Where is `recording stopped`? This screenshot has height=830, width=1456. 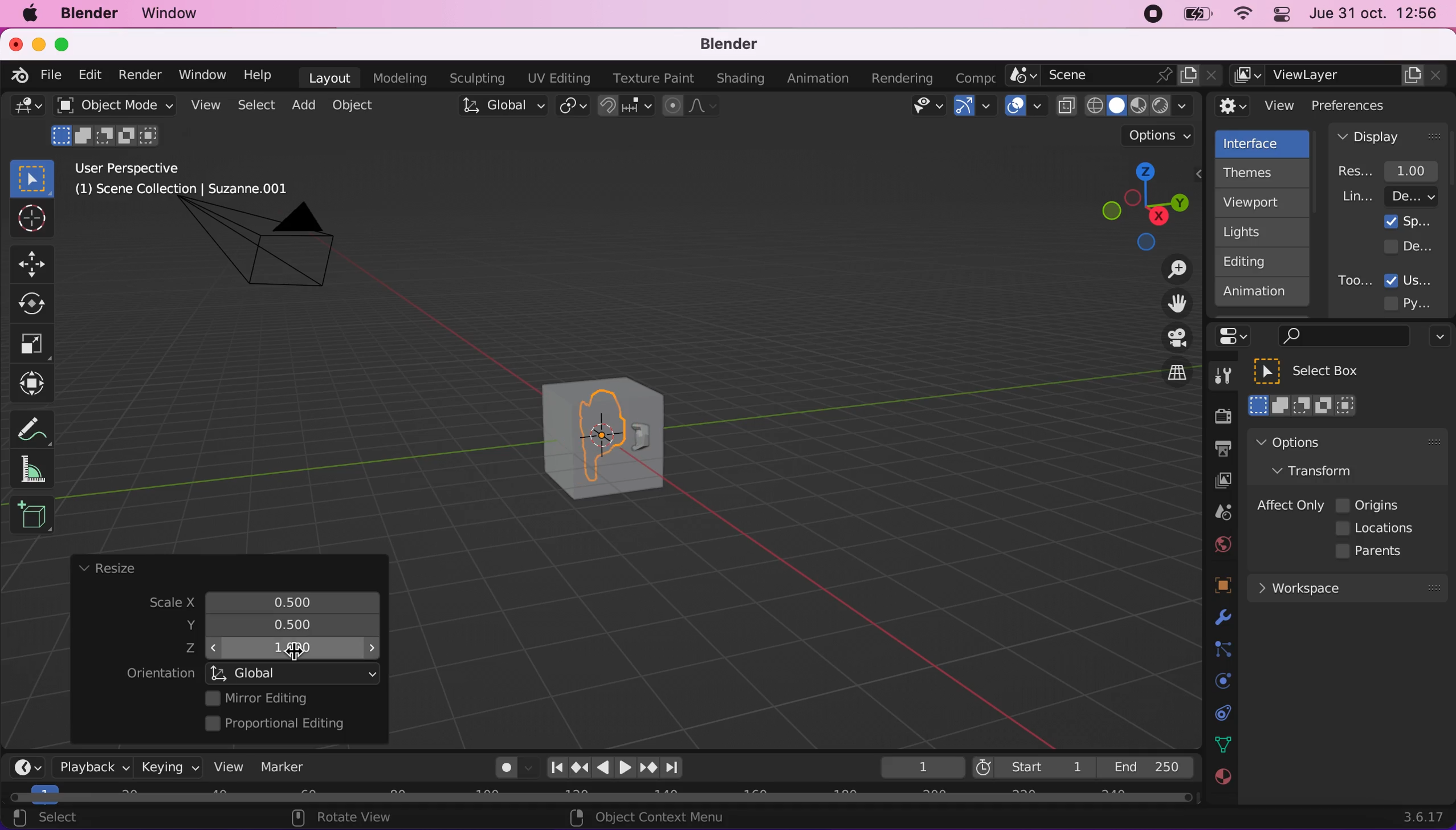
recording stopped is located at coordinates (1148, 16).